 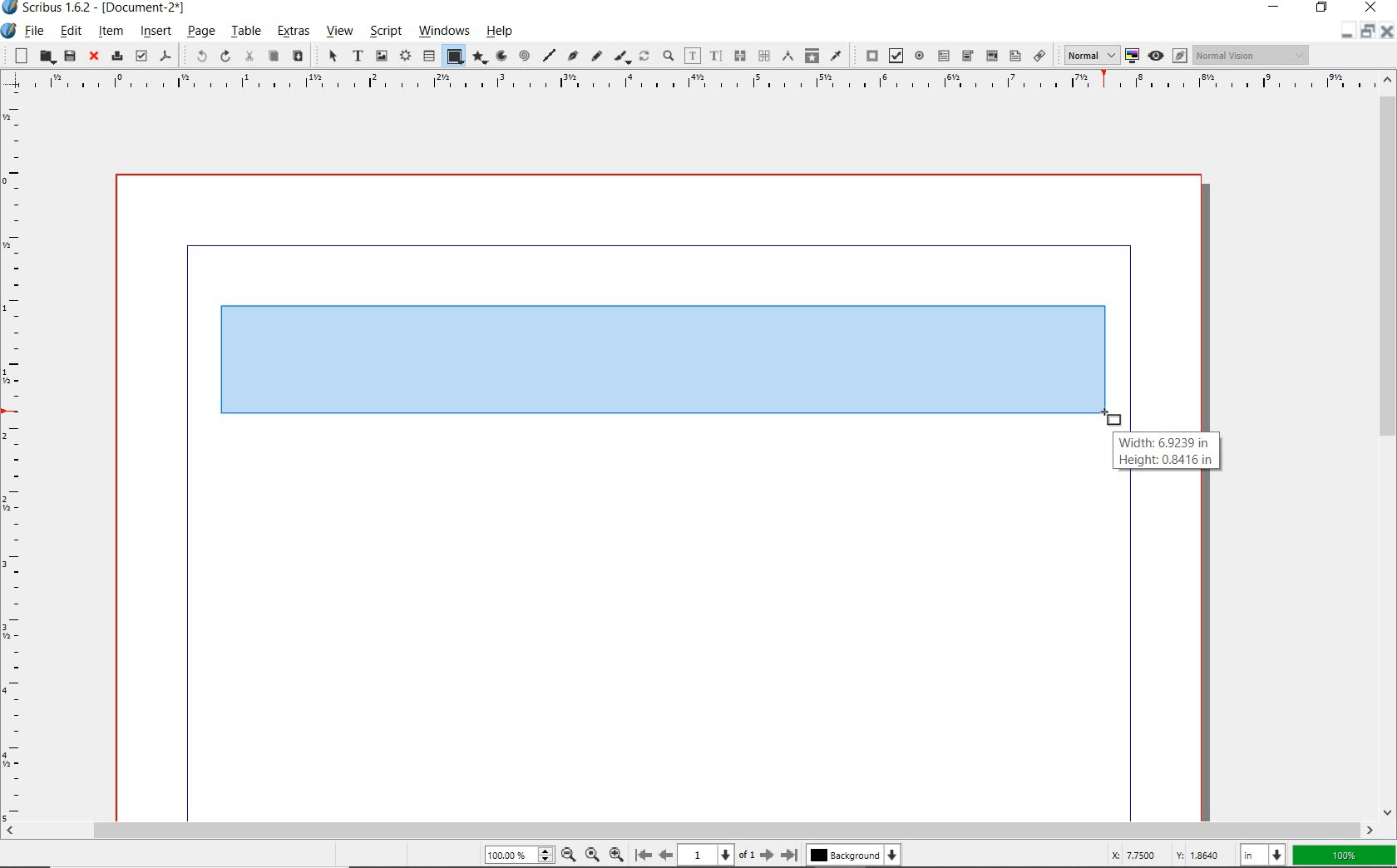 I want to click on restore, so click(x=1368, y=35).